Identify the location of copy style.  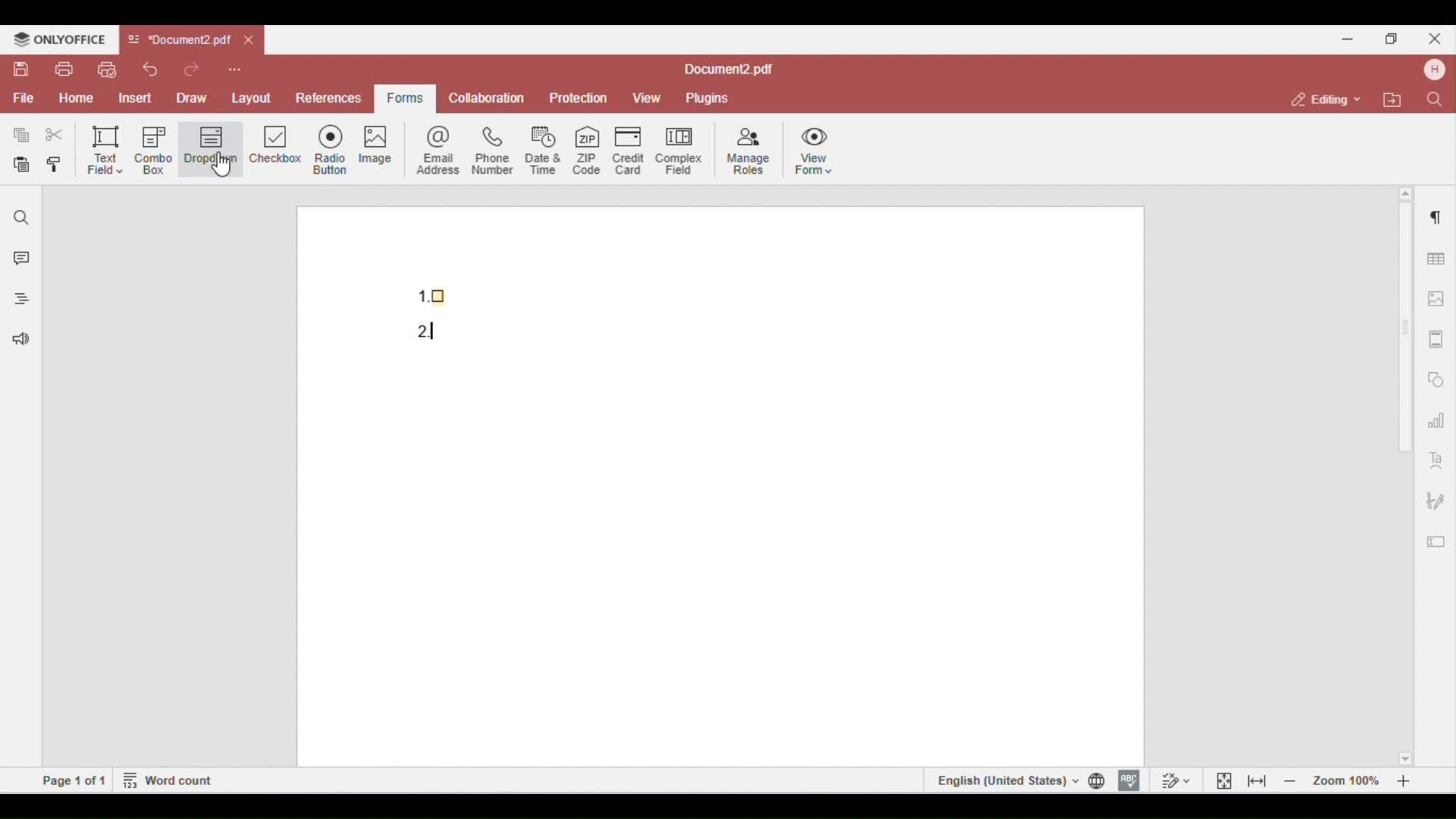
(58, 166).